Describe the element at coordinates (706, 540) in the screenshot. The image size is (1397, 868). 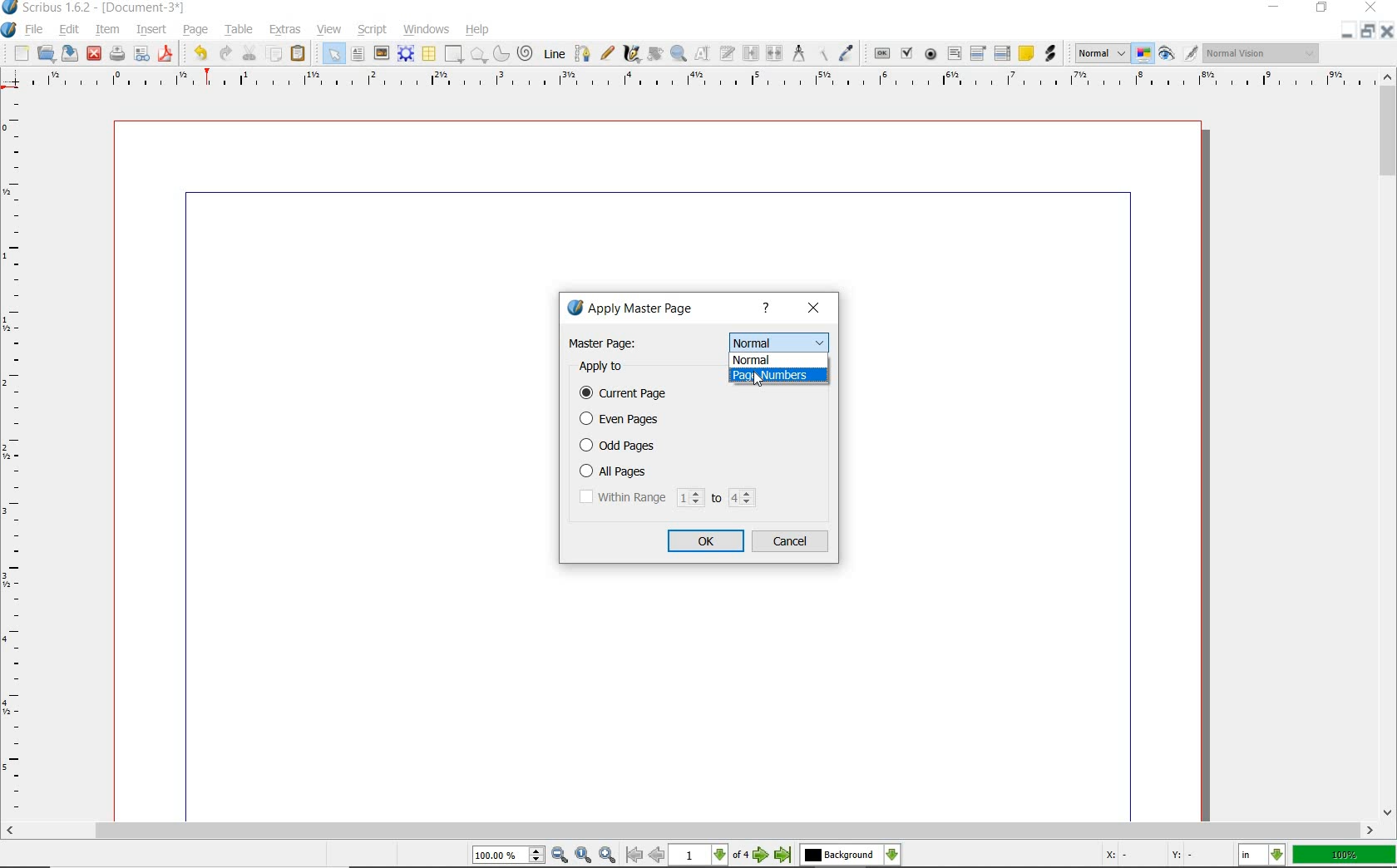
I see `ok` at that location.